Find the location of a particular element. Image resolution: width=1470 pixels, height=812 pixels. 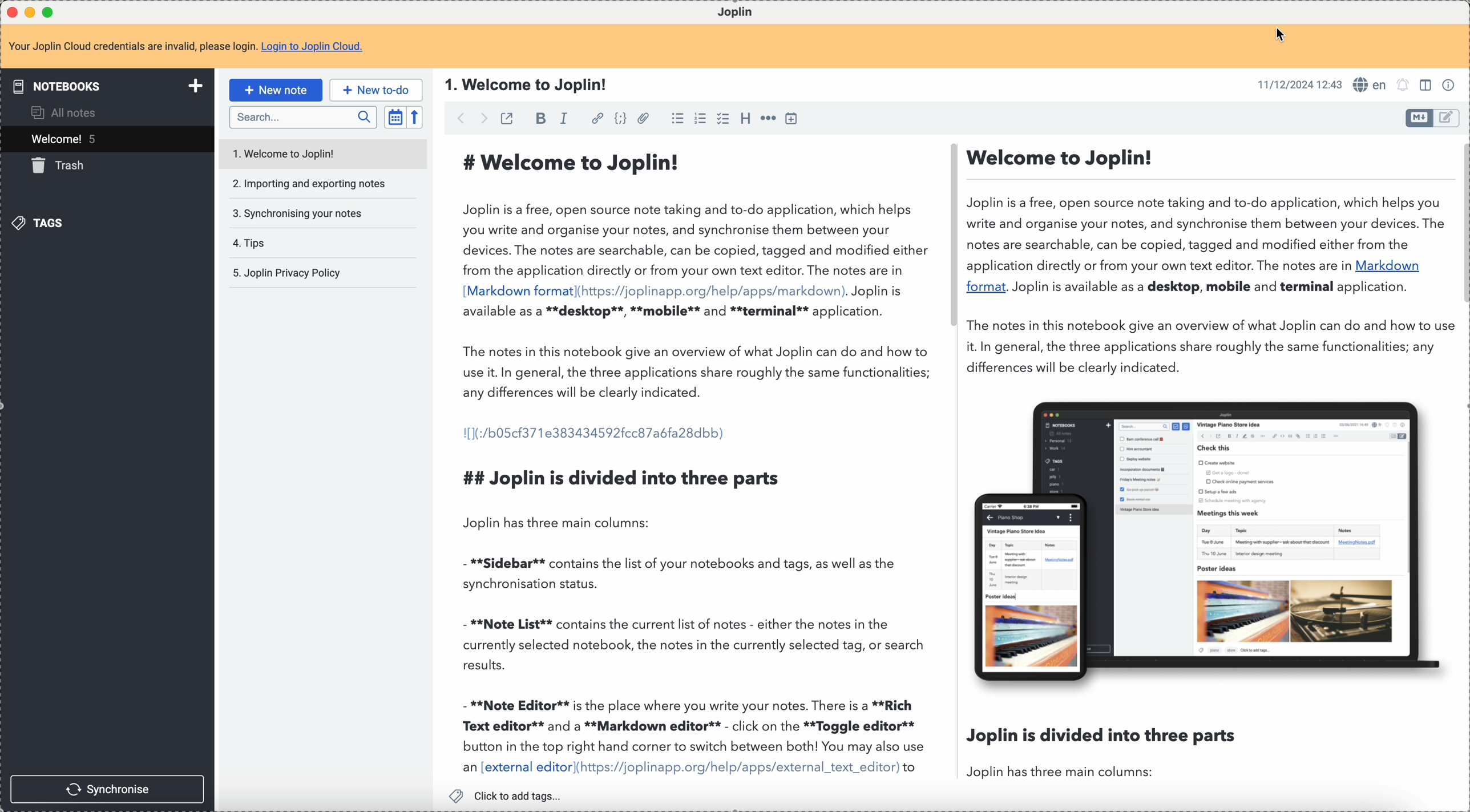

all notes is located at coordinates (70, 112).